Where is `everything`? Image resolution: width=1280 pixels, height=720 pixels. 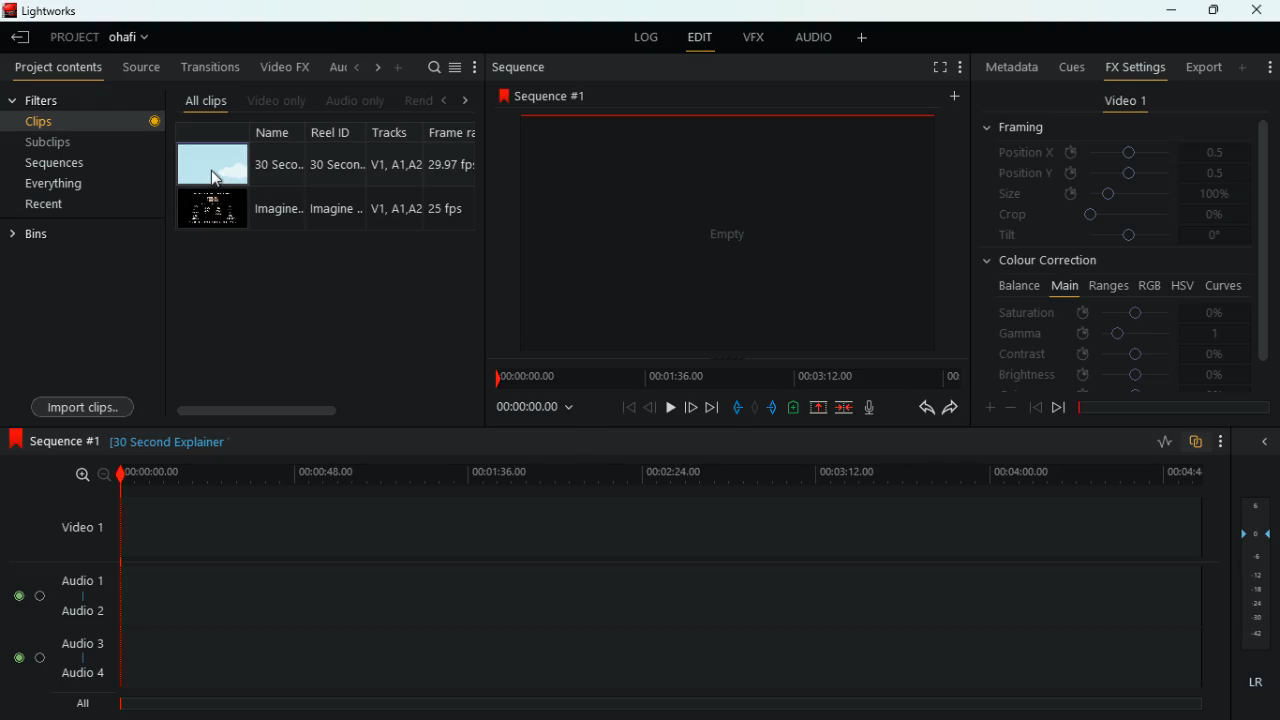
everything is located at coordinates (73, 187).